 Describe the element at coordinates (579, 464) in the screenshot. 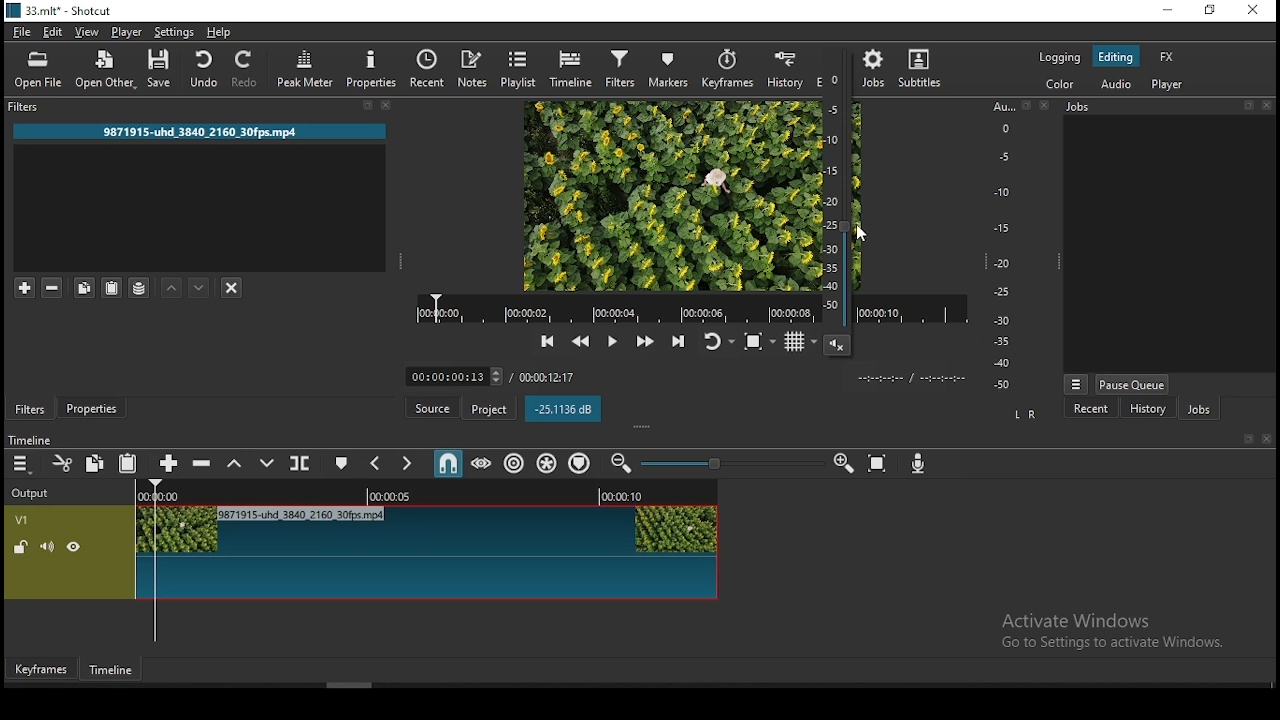

I see `ripple markers` at that location.